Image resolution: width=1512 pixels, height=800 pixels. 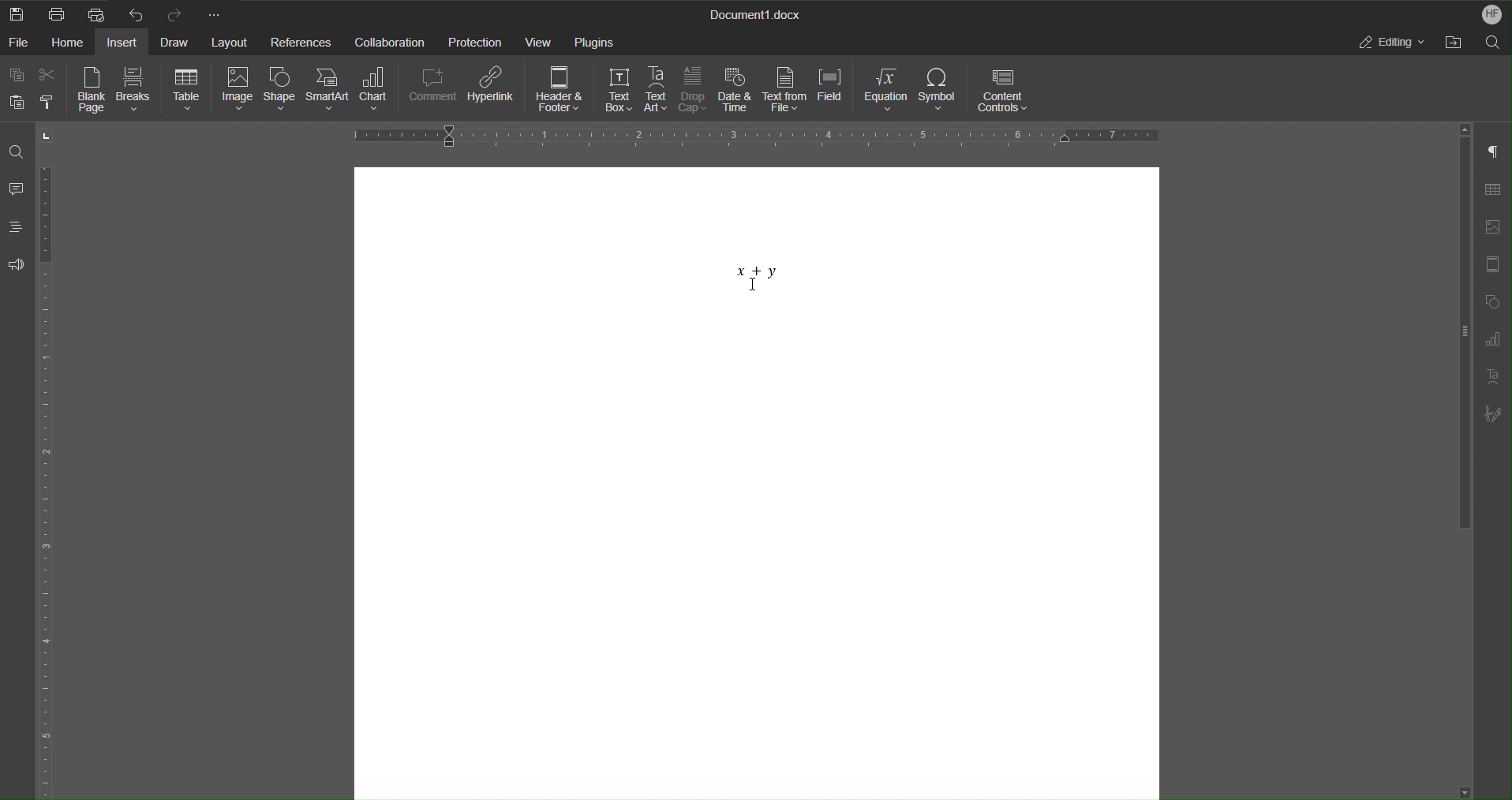 What do you see at coordinates (755, 275) in the screenshot?
I see `Finalized equation` at bounding box center [755, 275].